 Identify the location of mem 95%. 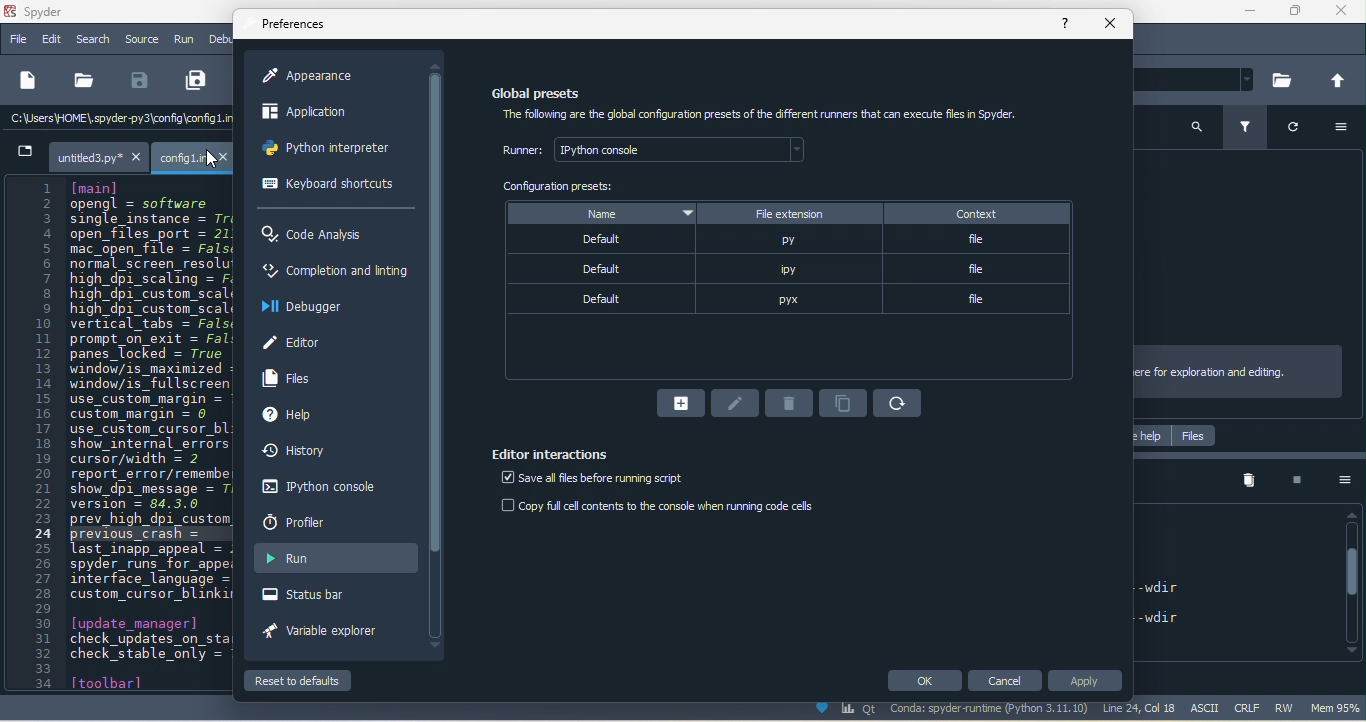
(1339, 709).